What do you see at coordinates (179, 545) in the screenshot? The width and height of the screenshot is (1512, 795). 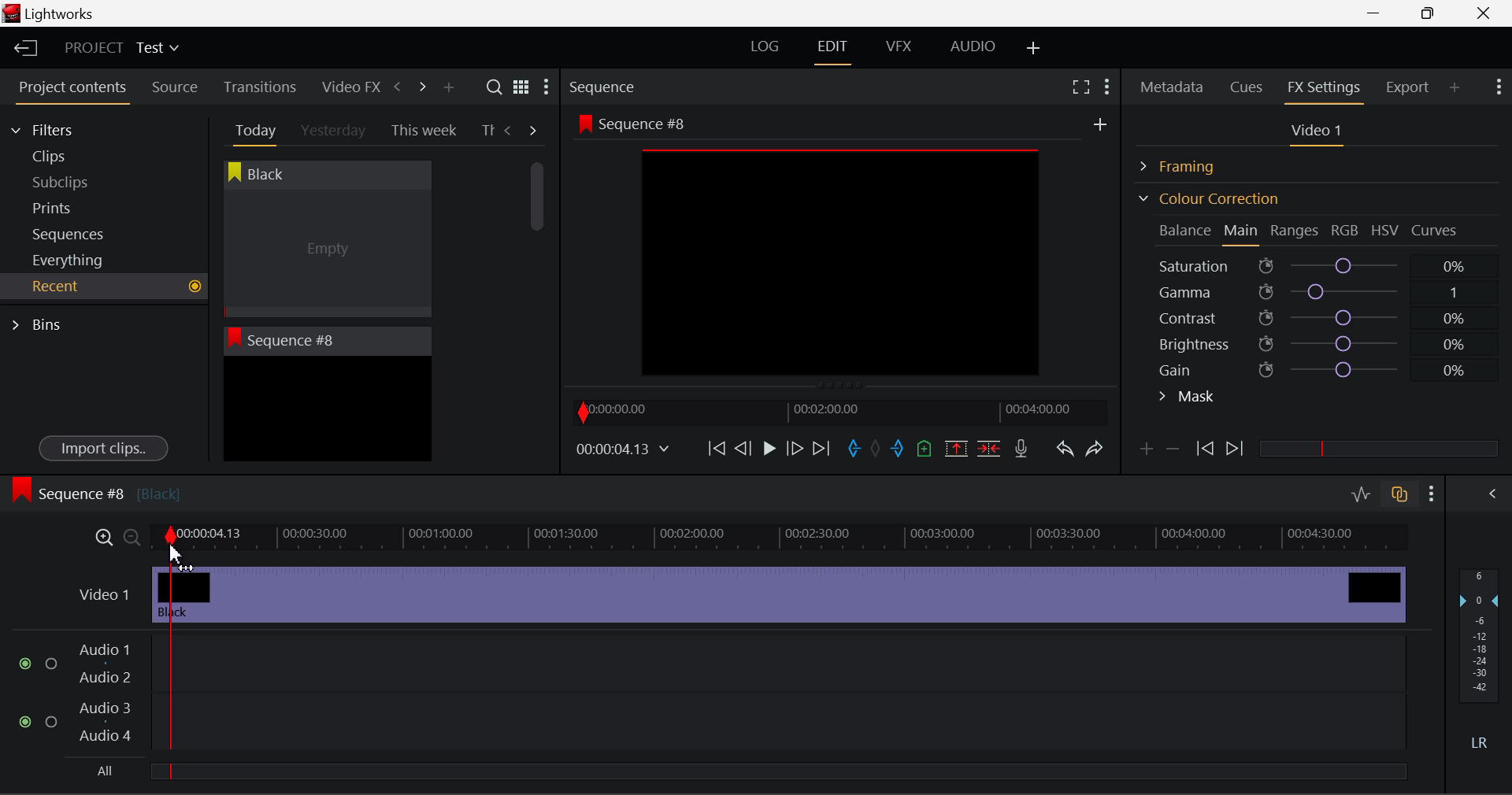 I see `DRAG_TO Cursor Position` at bounding box center [179, 545].